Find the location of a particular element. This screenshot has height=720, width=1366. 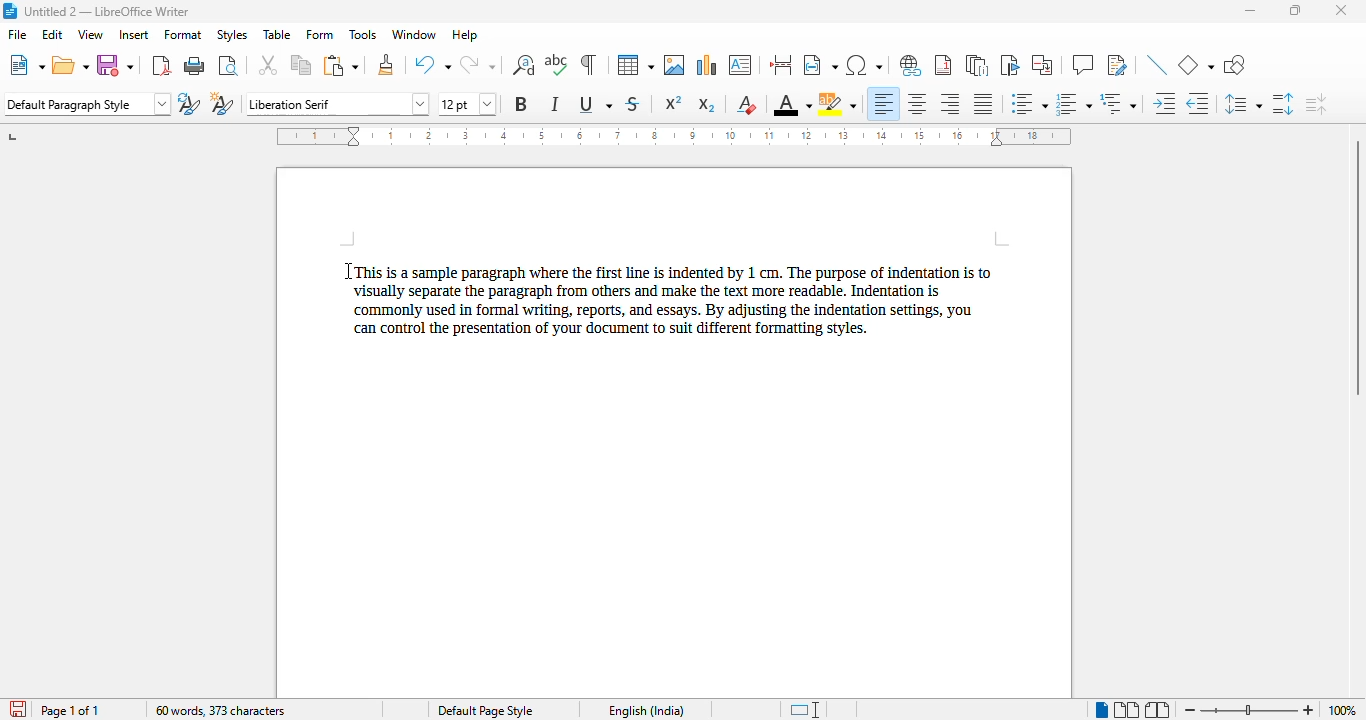

page 1 of 1 is located at coordinates (70, 710).